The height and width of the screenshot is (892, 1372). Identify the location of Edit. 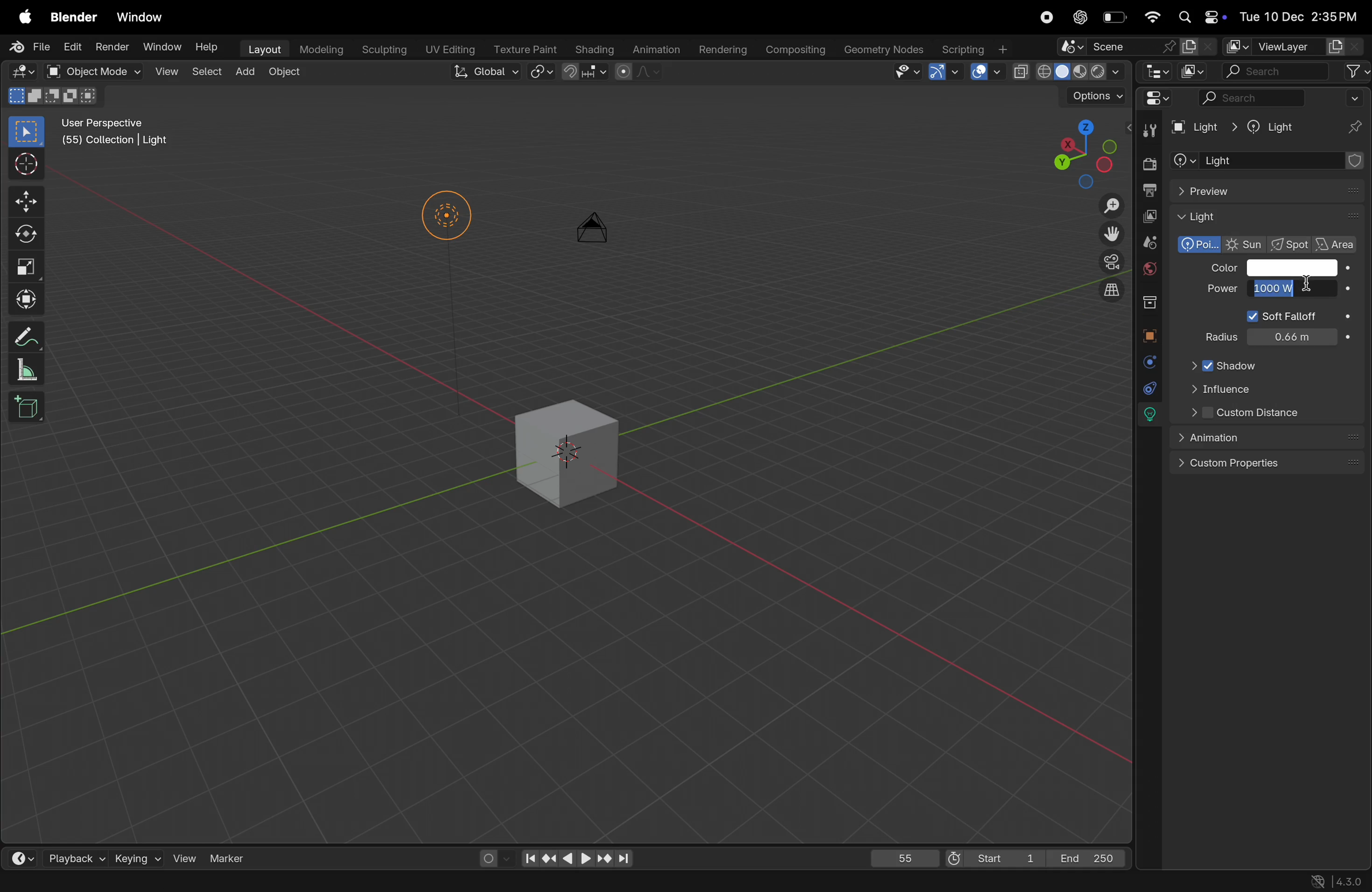
(71, 47).